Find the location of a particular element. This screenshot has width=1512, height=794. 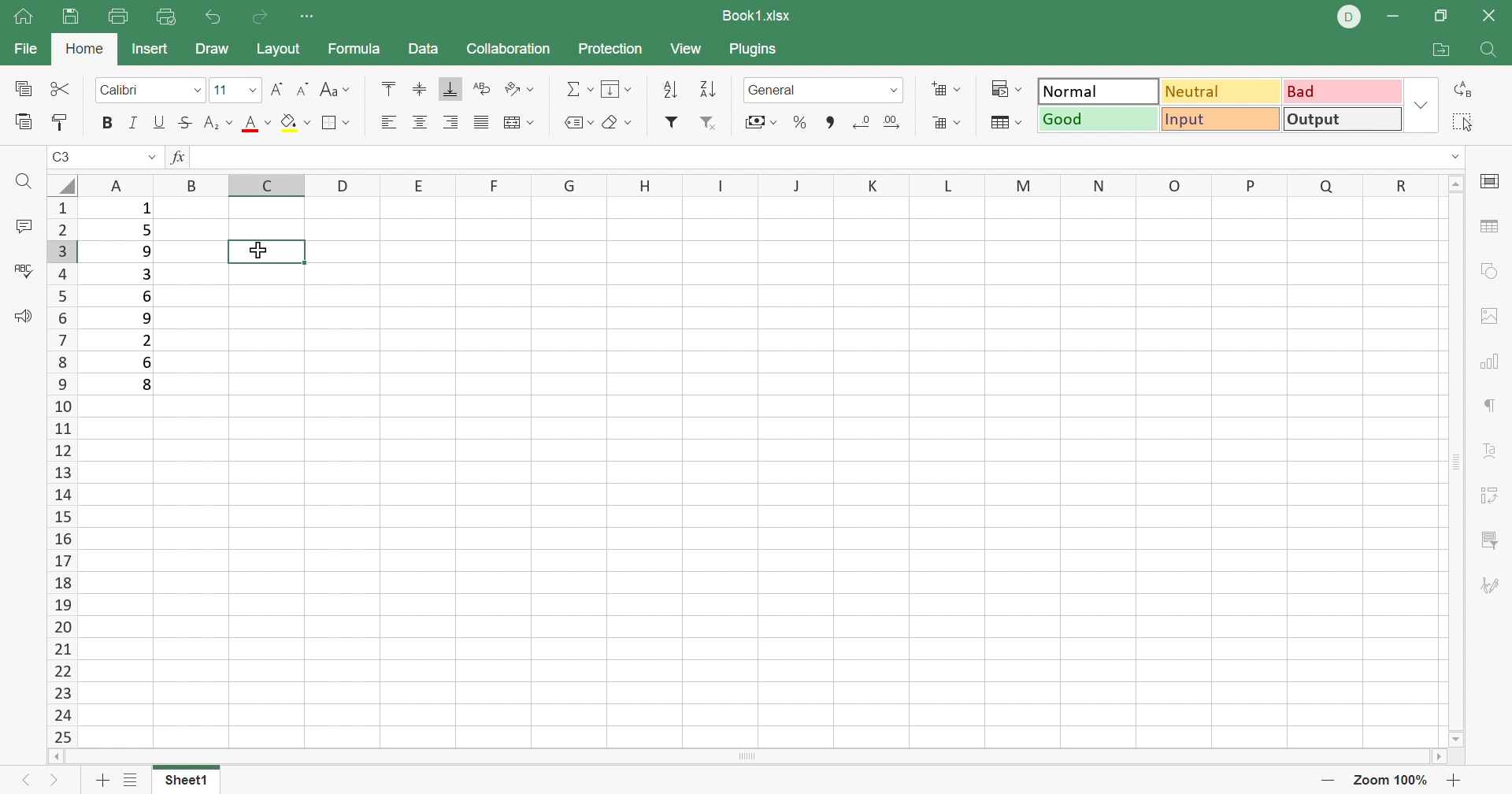

Summation is located at coordinates (578, 89).